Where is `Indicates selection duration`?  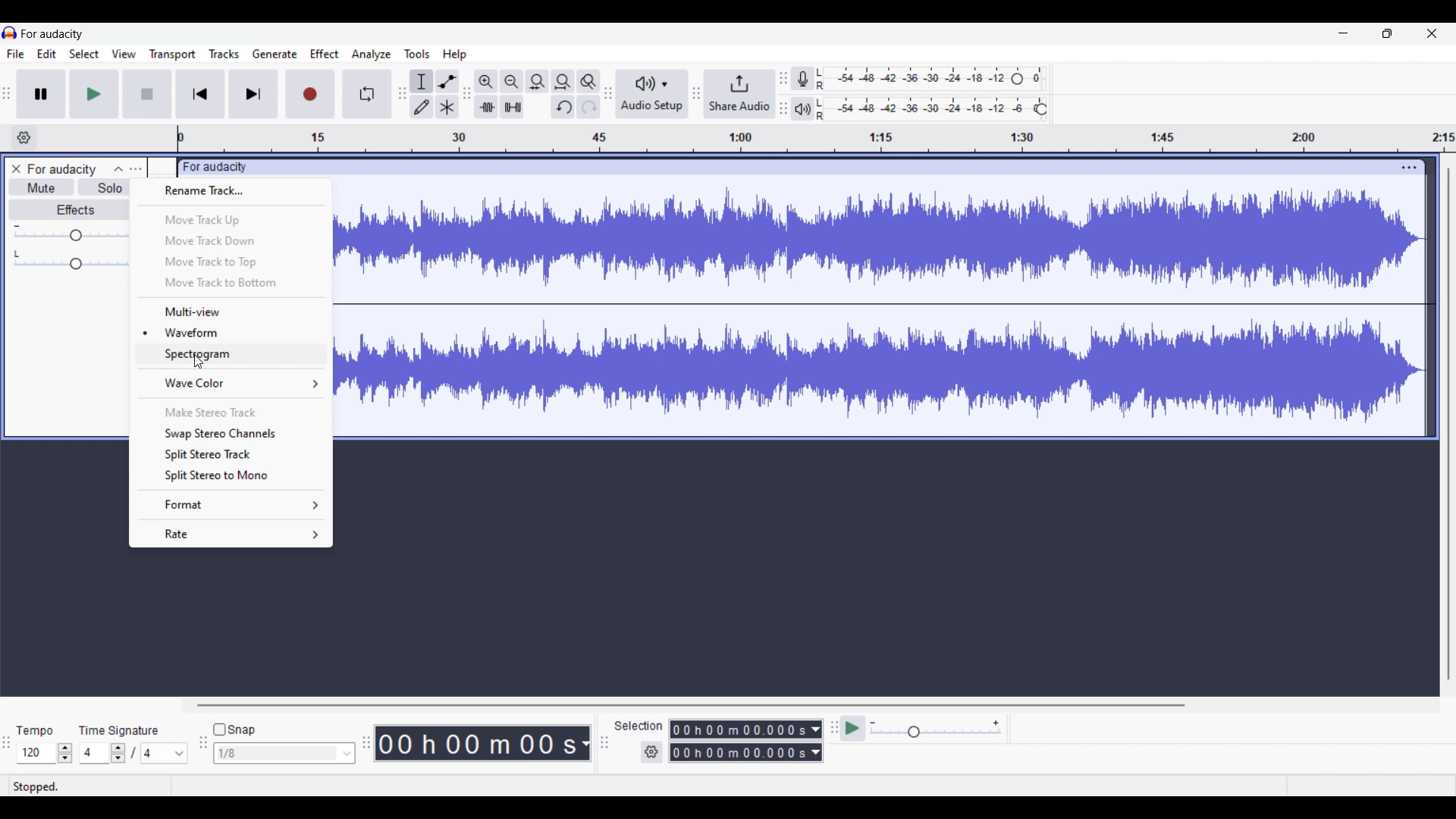
Indicates selection duration is located at coordinates (639, 726).